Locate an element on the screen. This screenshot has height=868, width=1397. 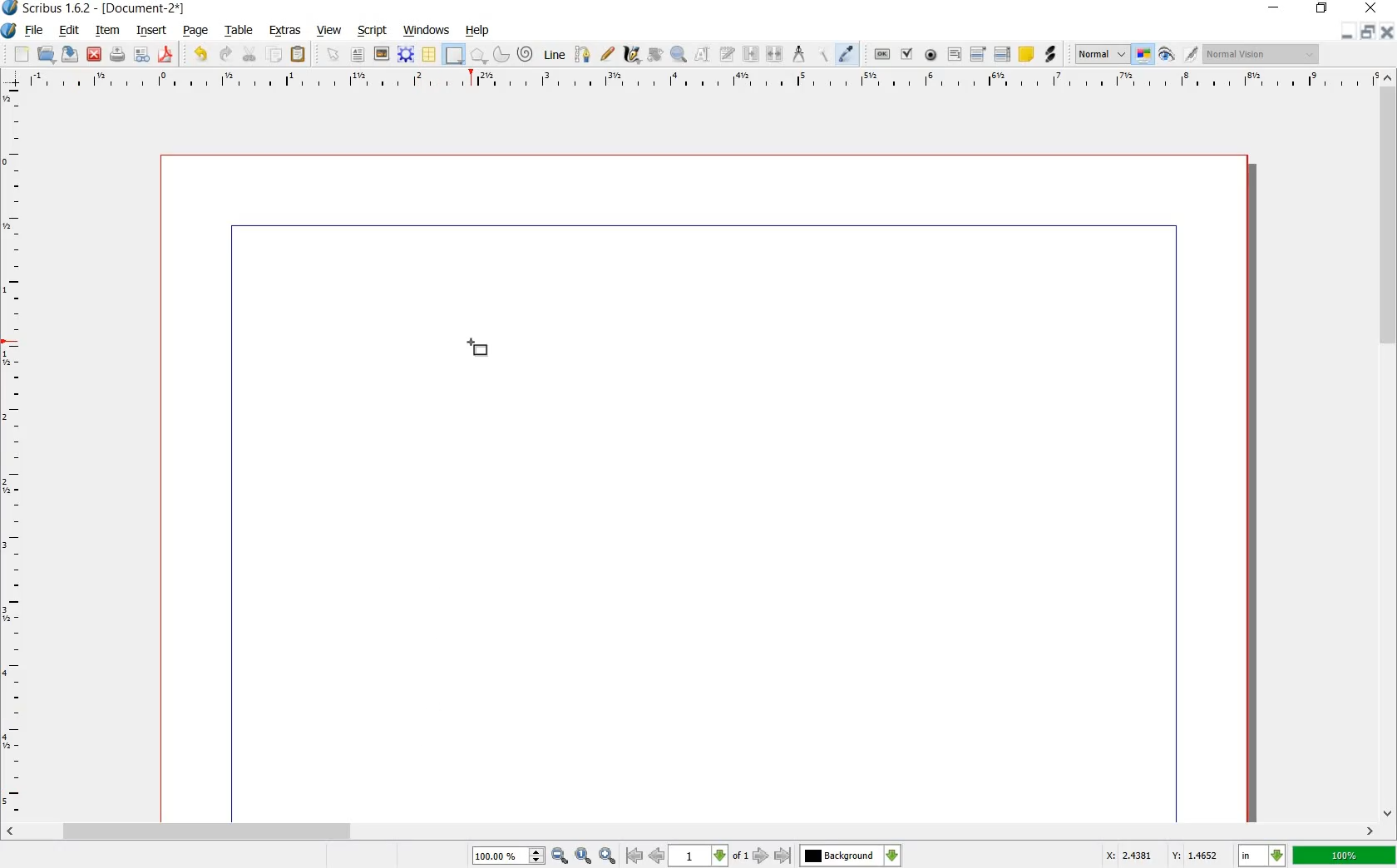
CLOSE is located at coordinates (94, 54).